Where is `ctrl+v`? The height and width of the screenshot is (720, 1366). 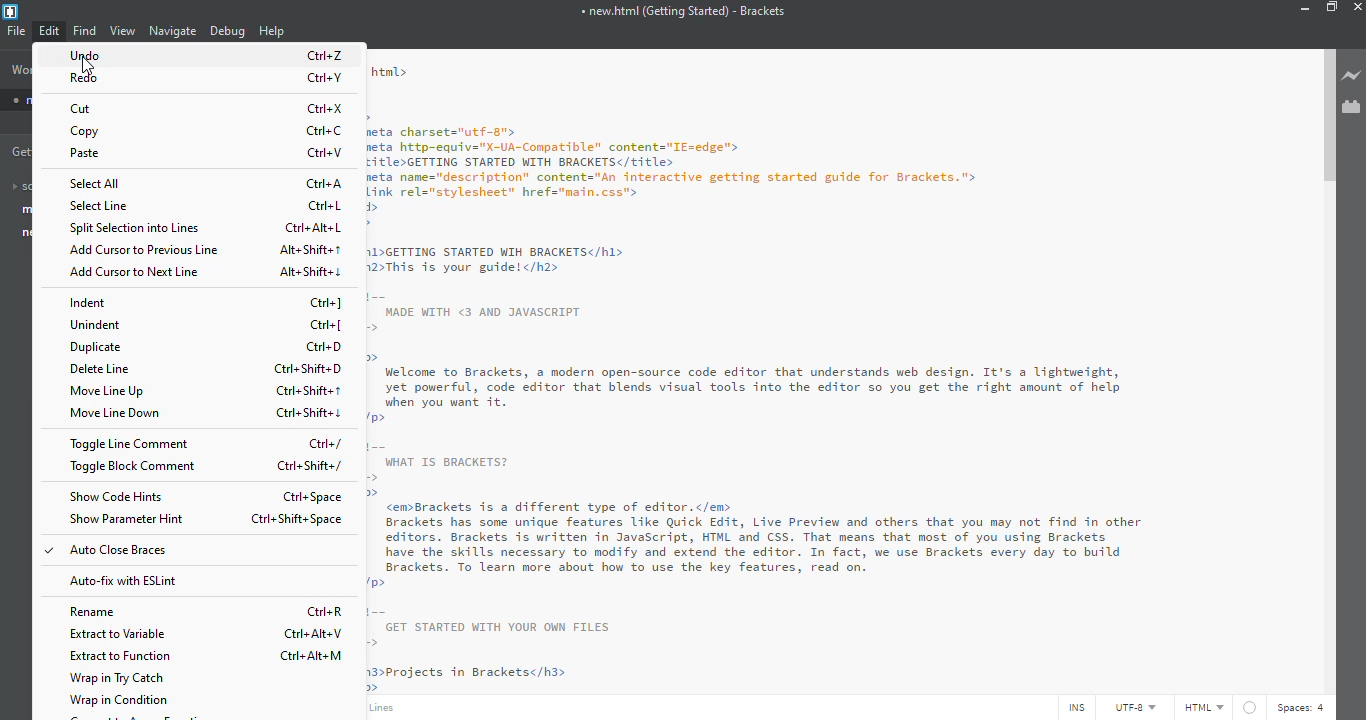 ctrl+v is located at coordinates (330, 152).